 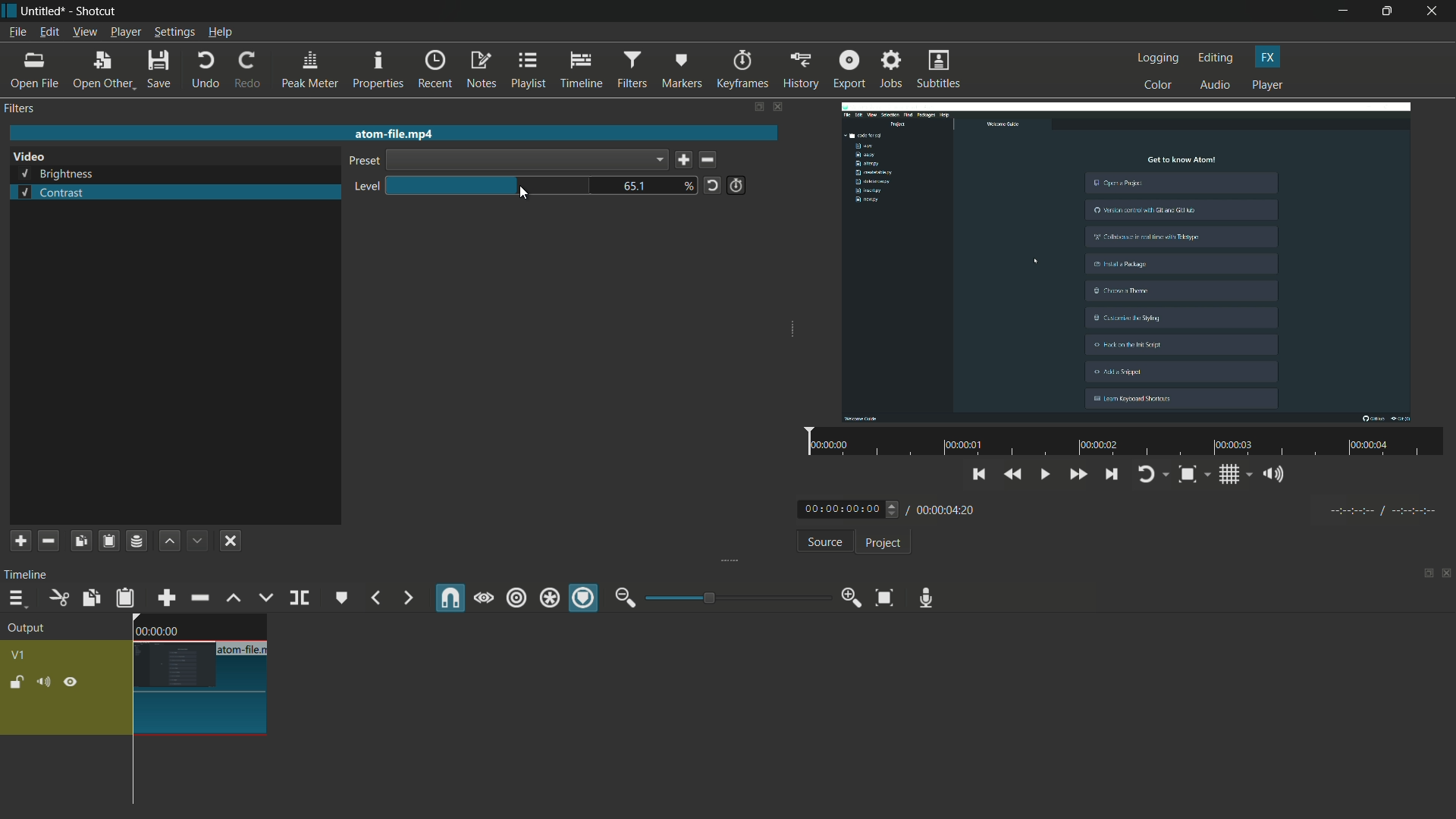 What do you see at coordinates (732, 597) in the screenshot?
I see `zoom bar` at bounding box center [732, 597].